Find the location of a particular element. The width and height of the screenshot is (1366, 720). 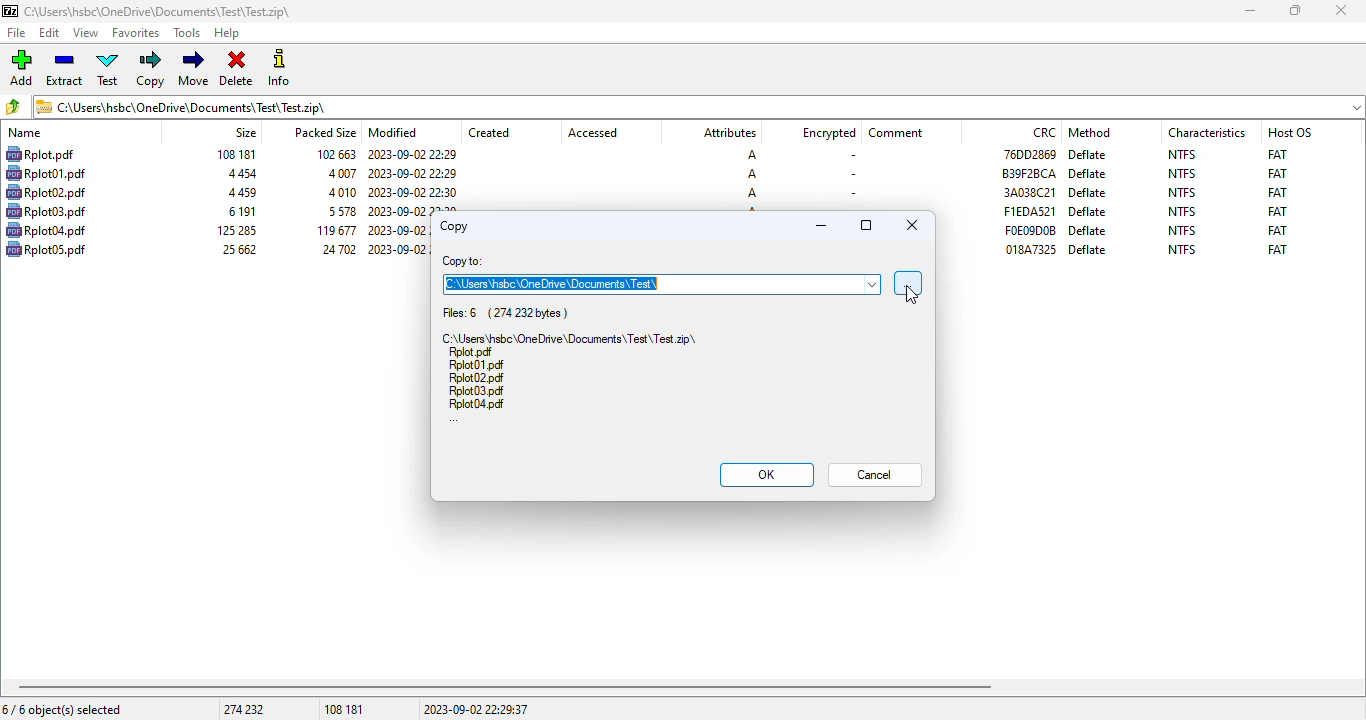

packed size is located at coordinates (338, 211).